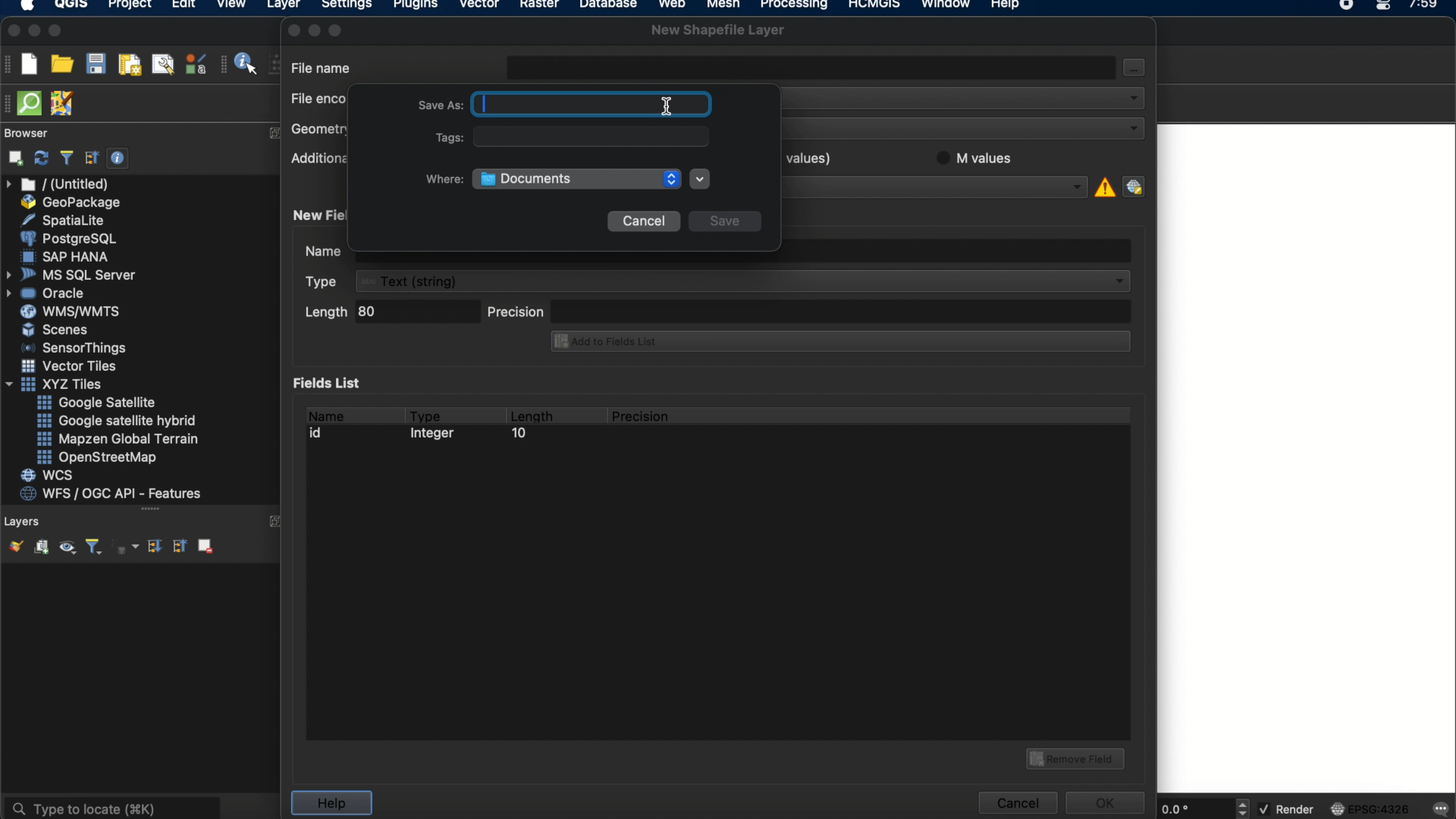 The image size is (1456, 819). Describe the element at coordinates (672, 106) in the screenshot. I see `CURSOR` at that location.